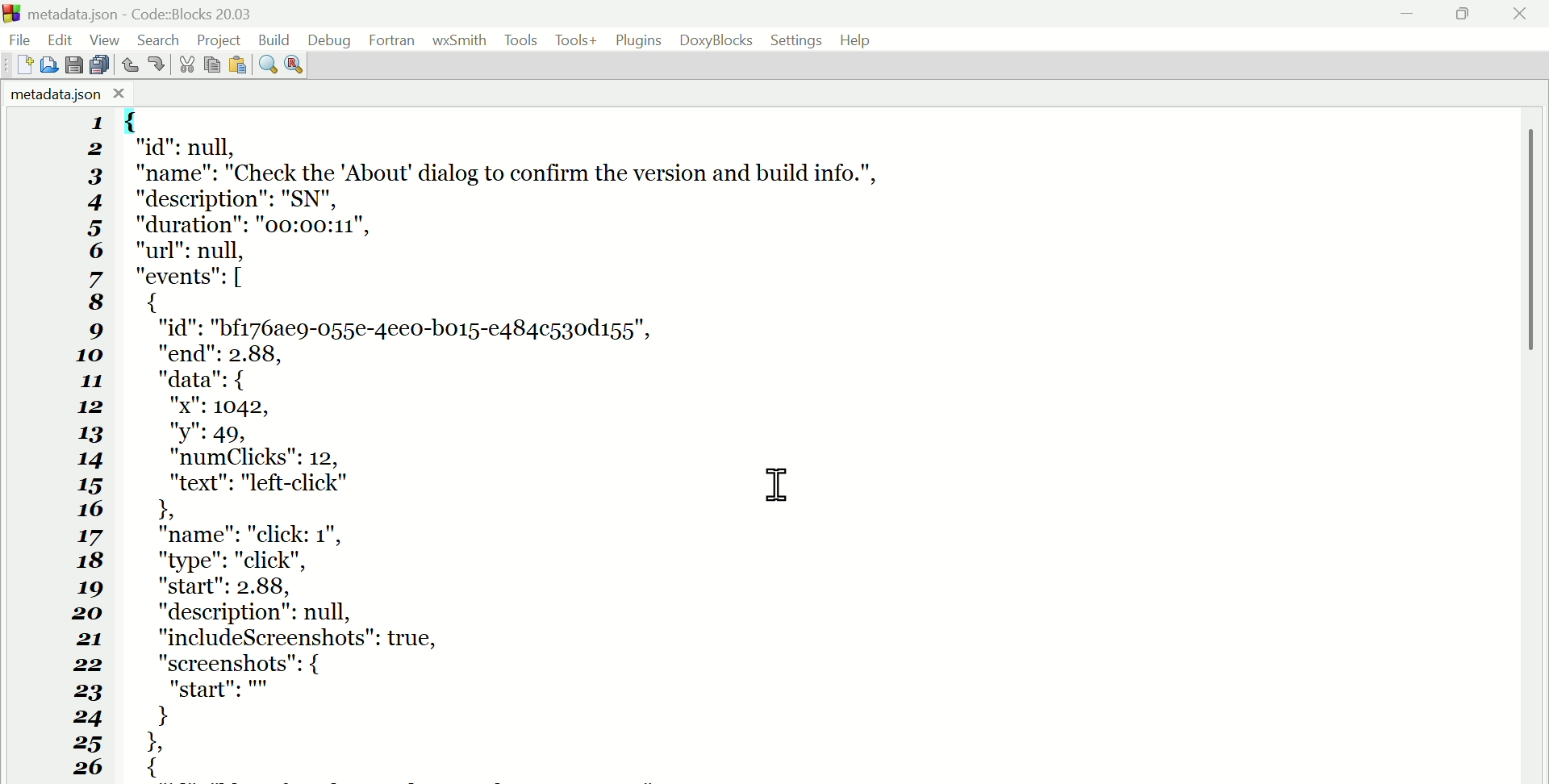 The height and width of the screenshot is (784, 1549). I want to click on save, so click(77, 65).